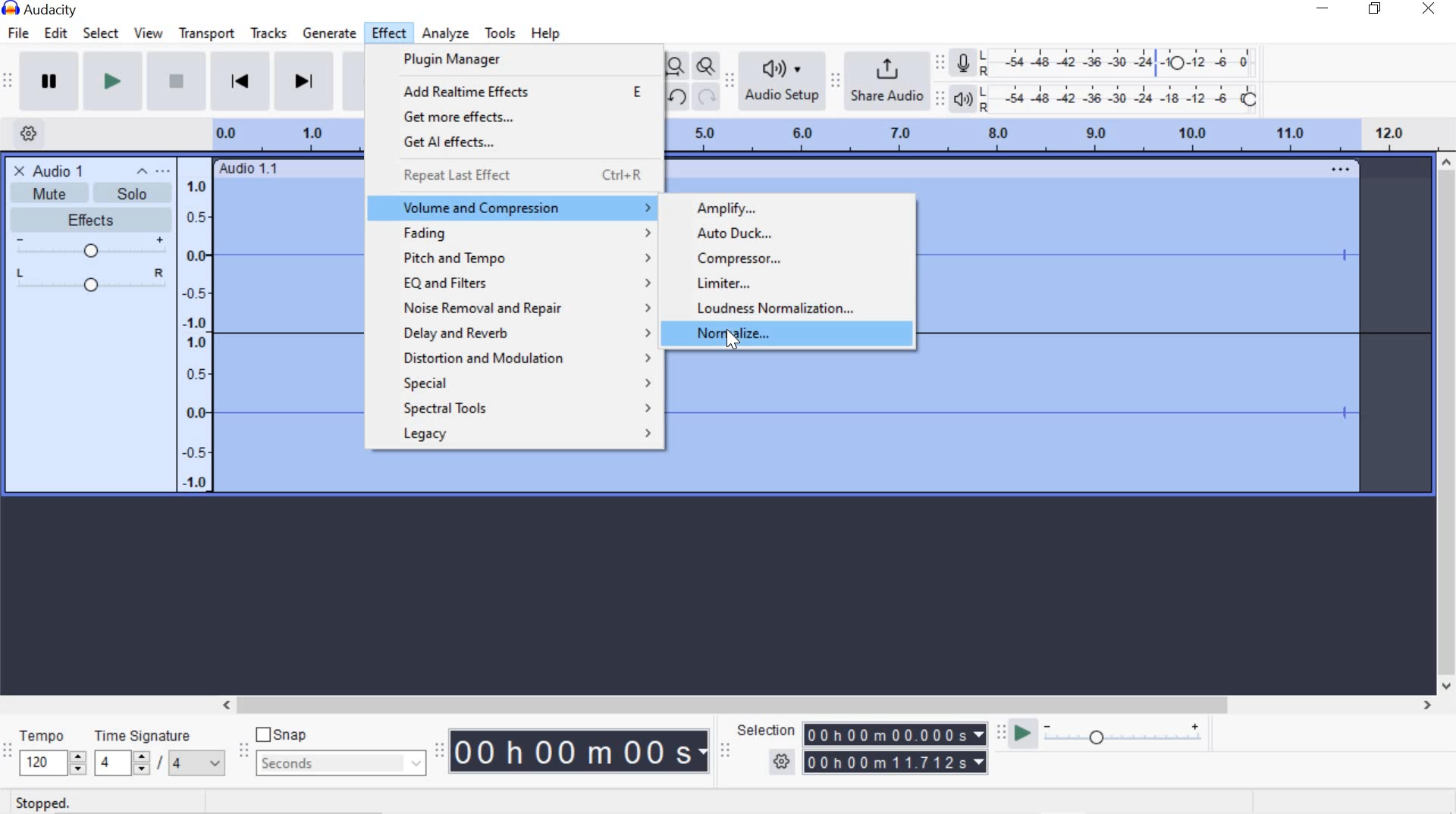  Describe the element at coordinates (287, 736) in the screenshot. I see `snap` at that location.